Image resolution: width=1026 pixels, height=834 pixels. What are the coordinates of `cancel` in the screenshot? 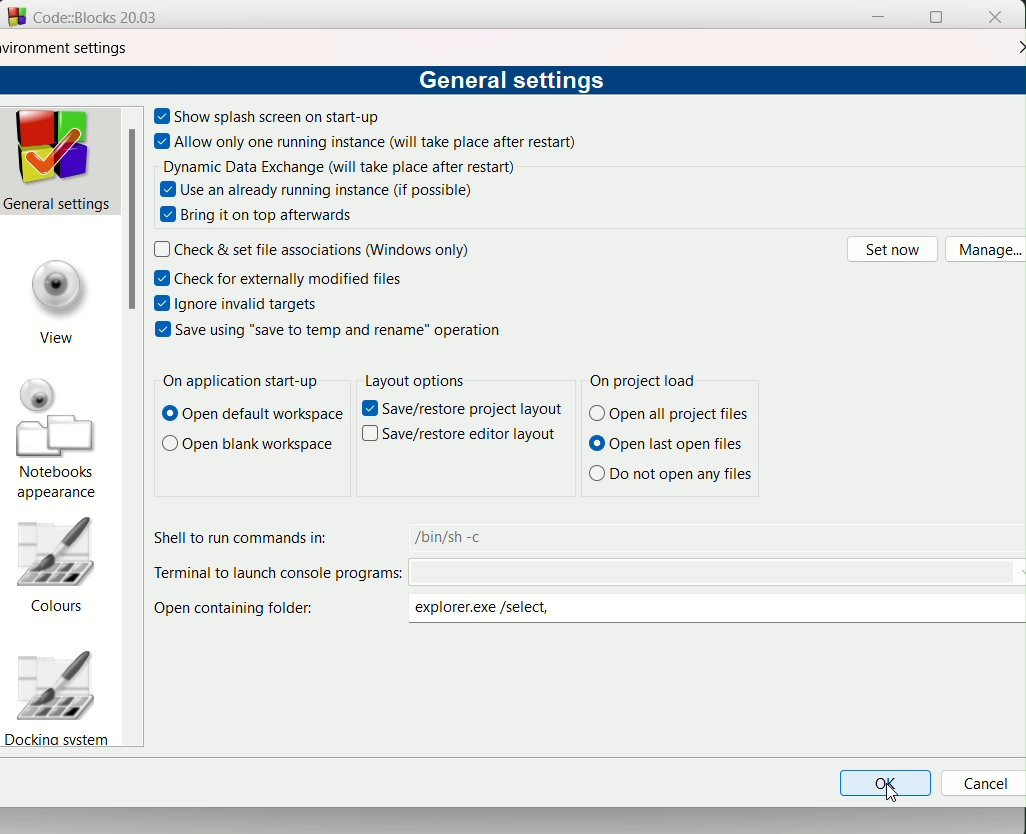 It's located at (981, 785).